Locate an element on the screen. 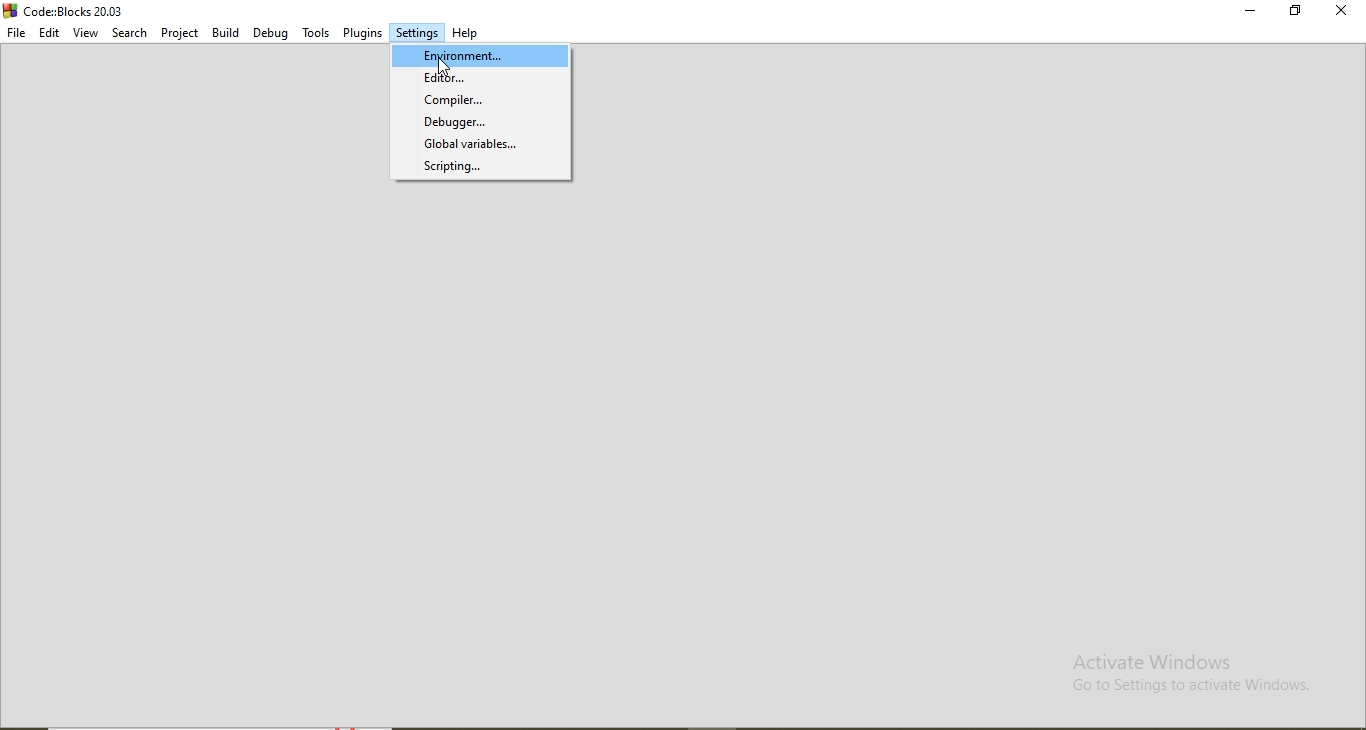 The image size is (1366, 730). Plugins  is located at coordinates (364, 31).